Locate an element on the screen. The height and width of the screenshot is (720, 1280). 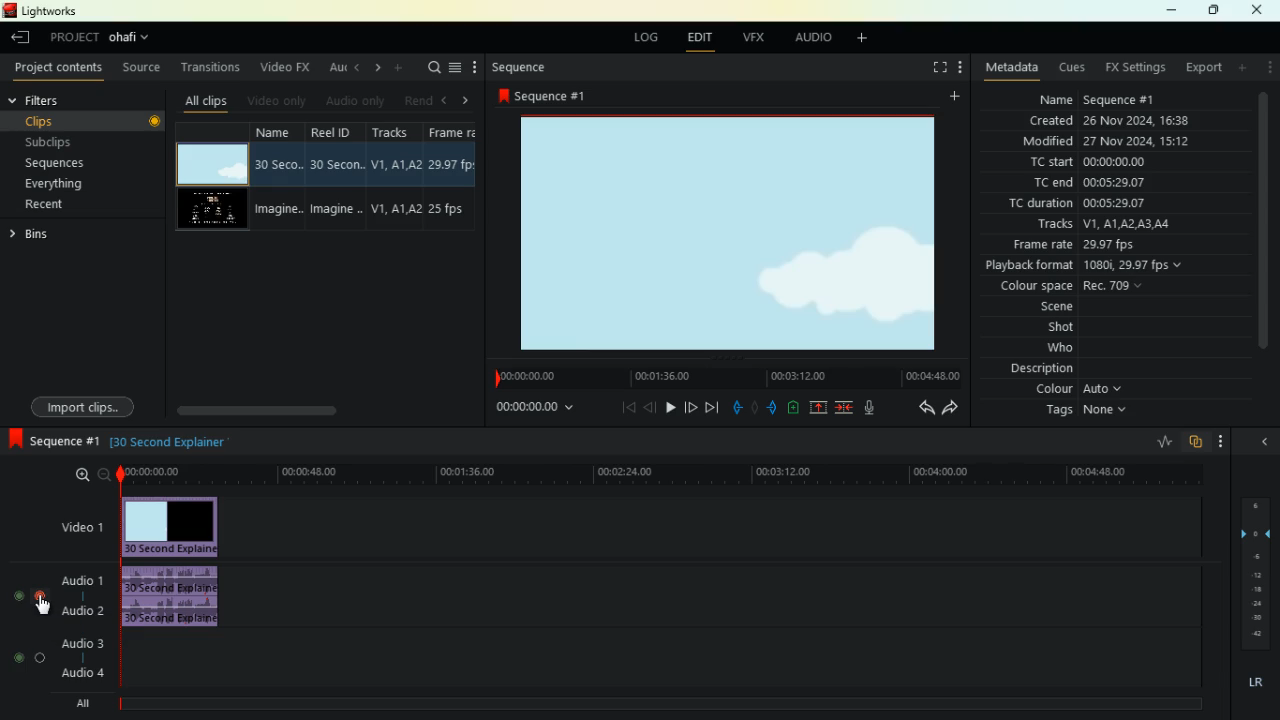
zoom is located at coordinates (85, 474).